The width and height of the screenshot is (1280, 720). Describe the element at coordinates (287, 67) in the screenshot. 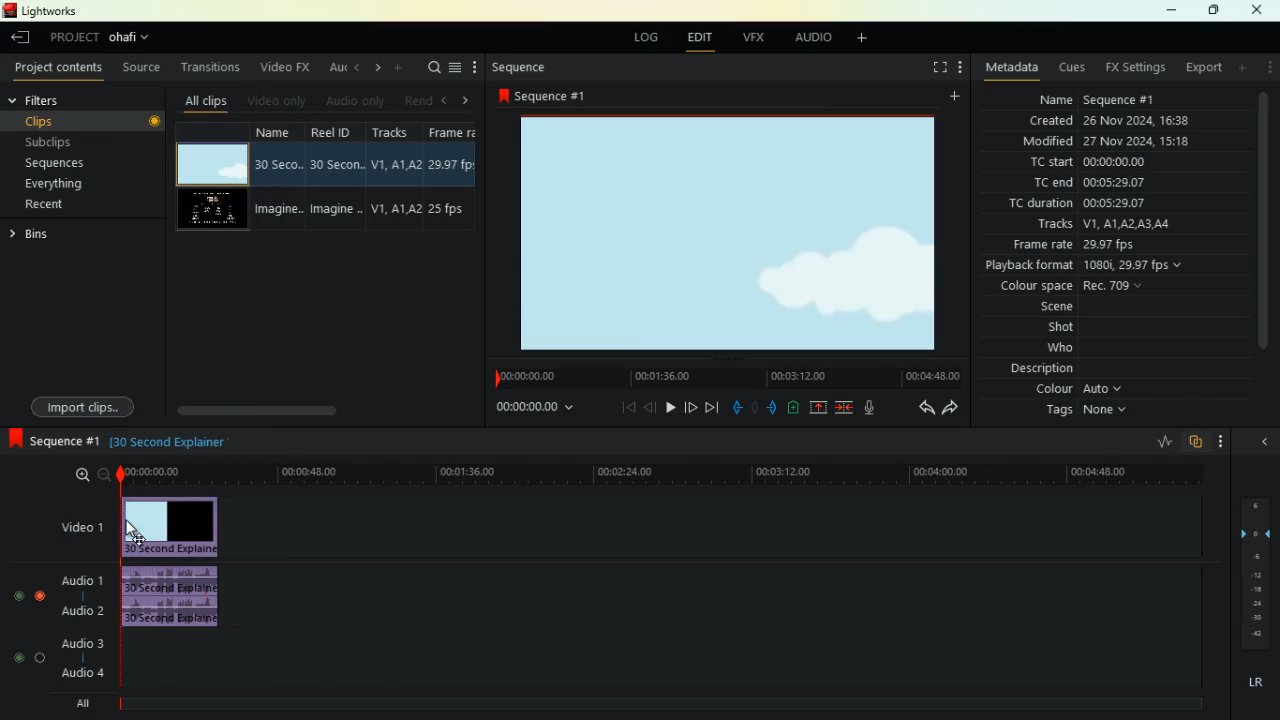

I see `video fx` at that location.